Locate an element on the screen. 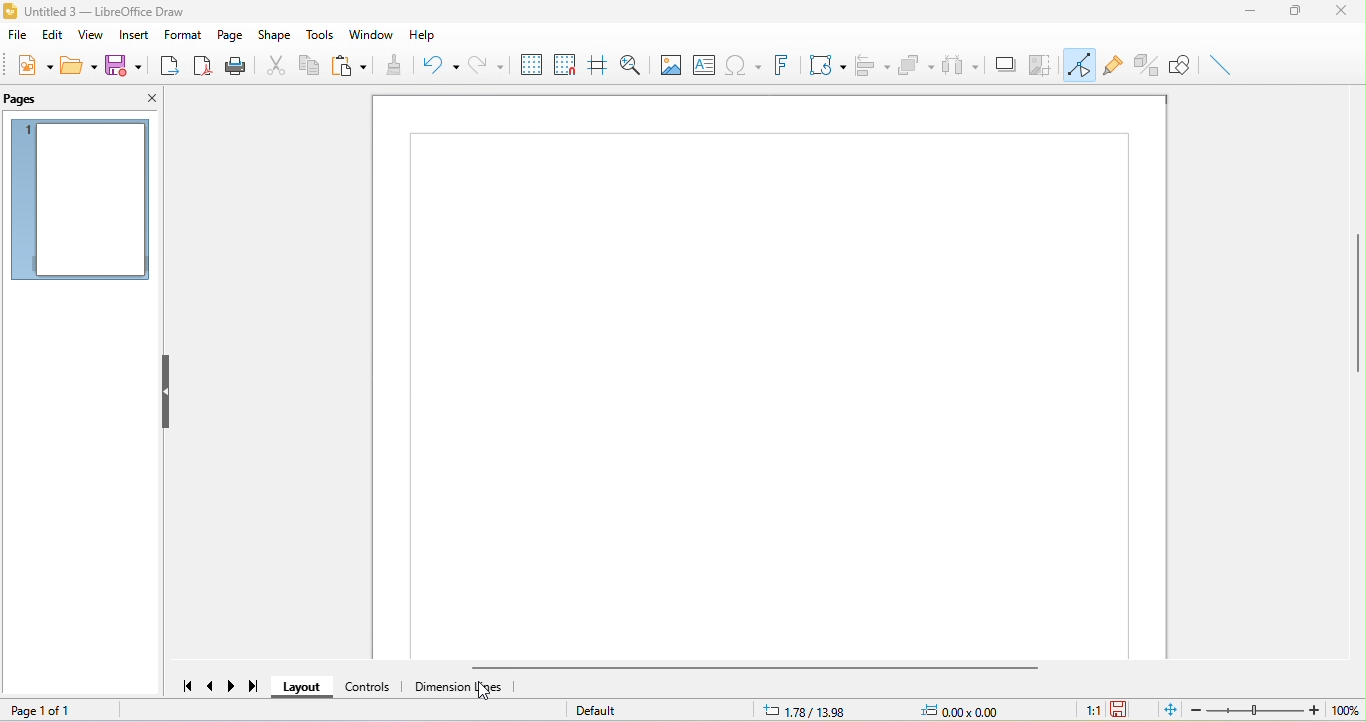 The height and width of the screenshot is (722, 1366). edit is located at coordinates (53, 37).